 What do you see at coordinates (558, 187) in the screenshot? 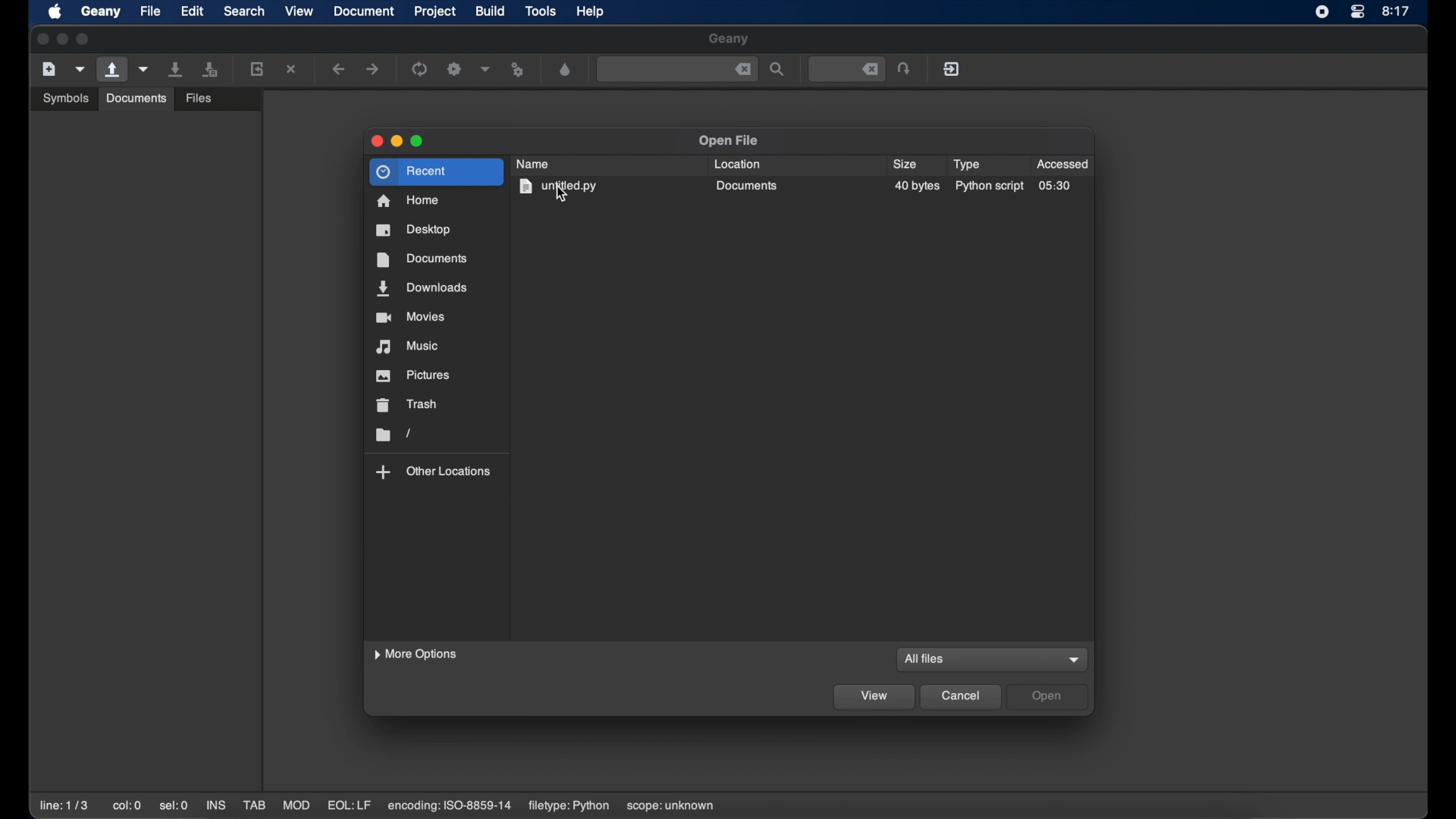
I see `untitled.py` at bounding box center [558, 187].